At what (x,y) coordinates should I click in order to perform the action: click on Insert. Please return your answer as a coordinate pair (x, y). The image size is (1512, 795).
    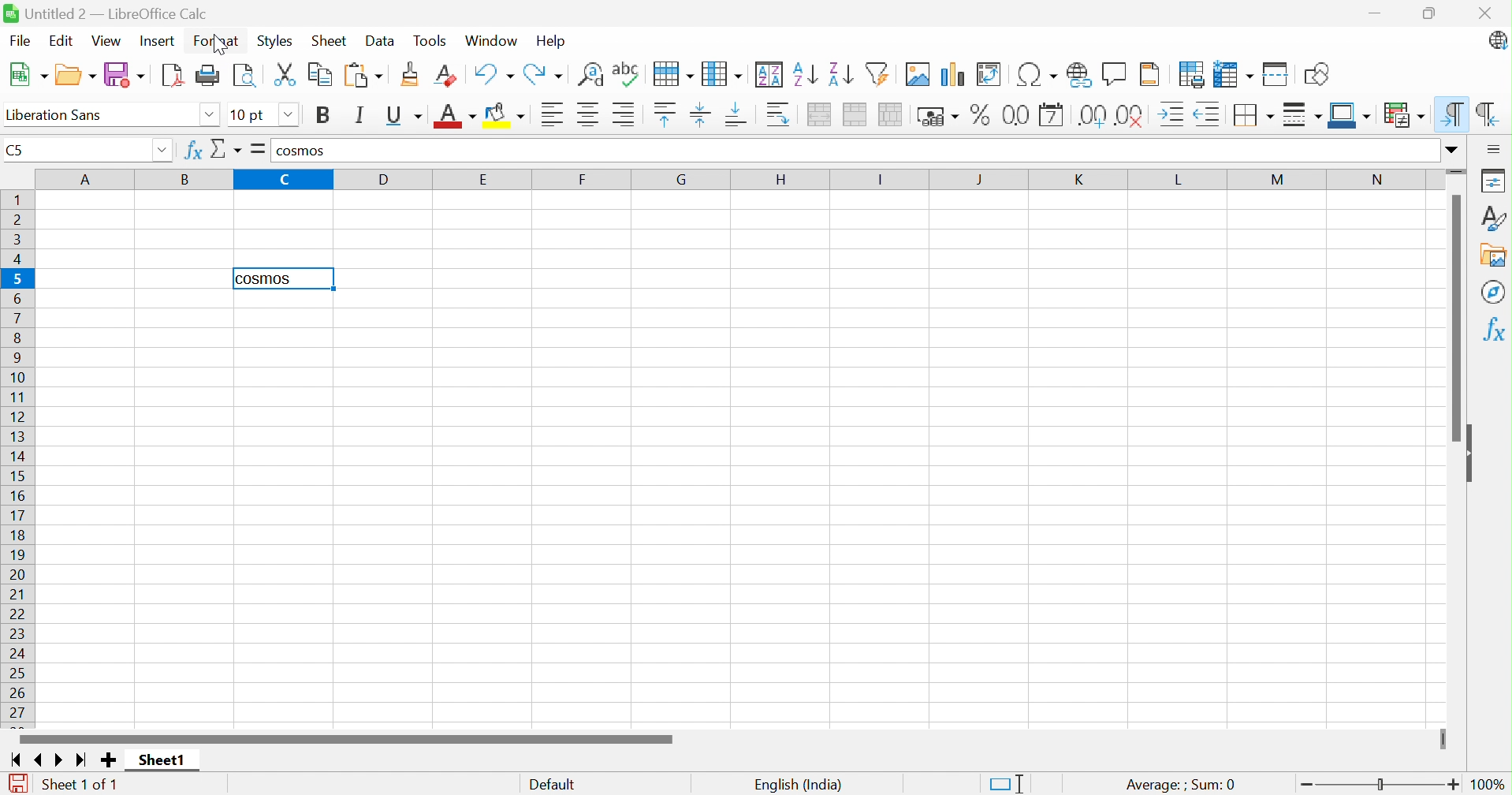
    Looking at the image, I should click on (156, 41).